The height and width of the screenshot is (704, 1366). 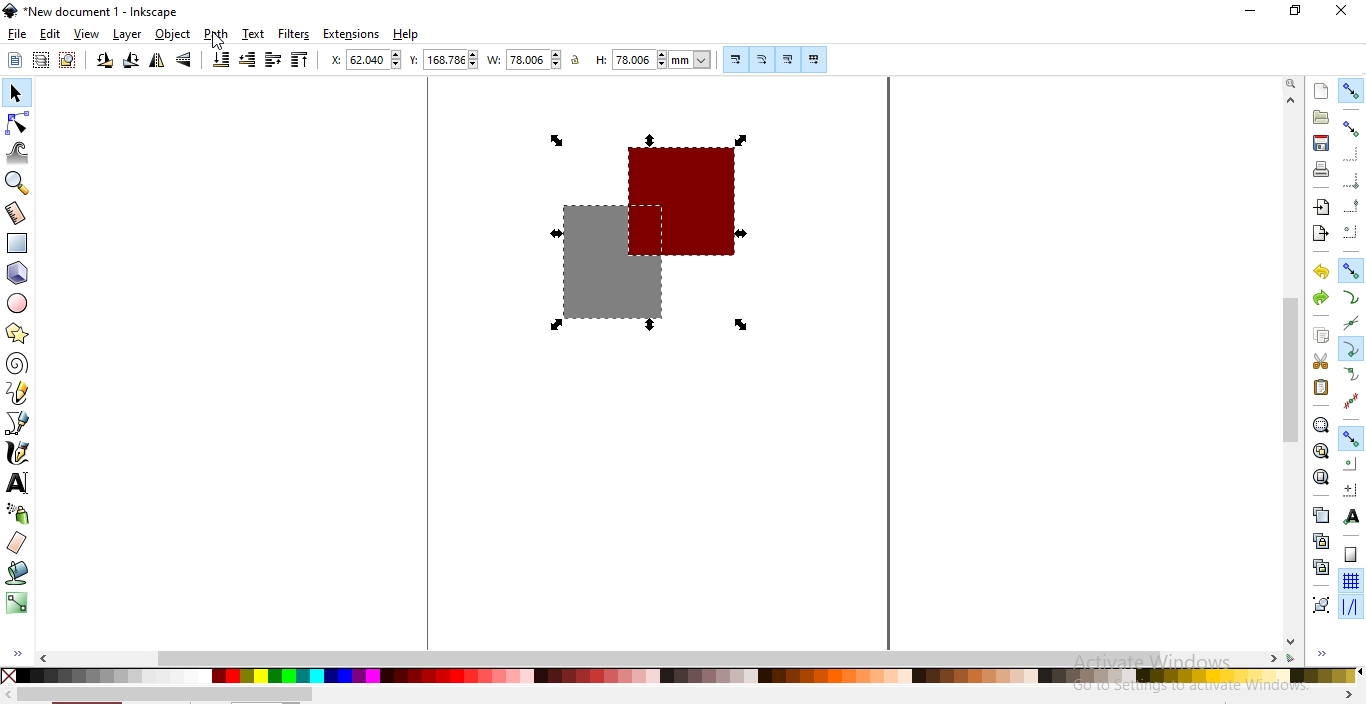 What do you see at coordinates (1320, 541) in the screenshot?
I see `create a clone` at bounding box center [1320, 541].